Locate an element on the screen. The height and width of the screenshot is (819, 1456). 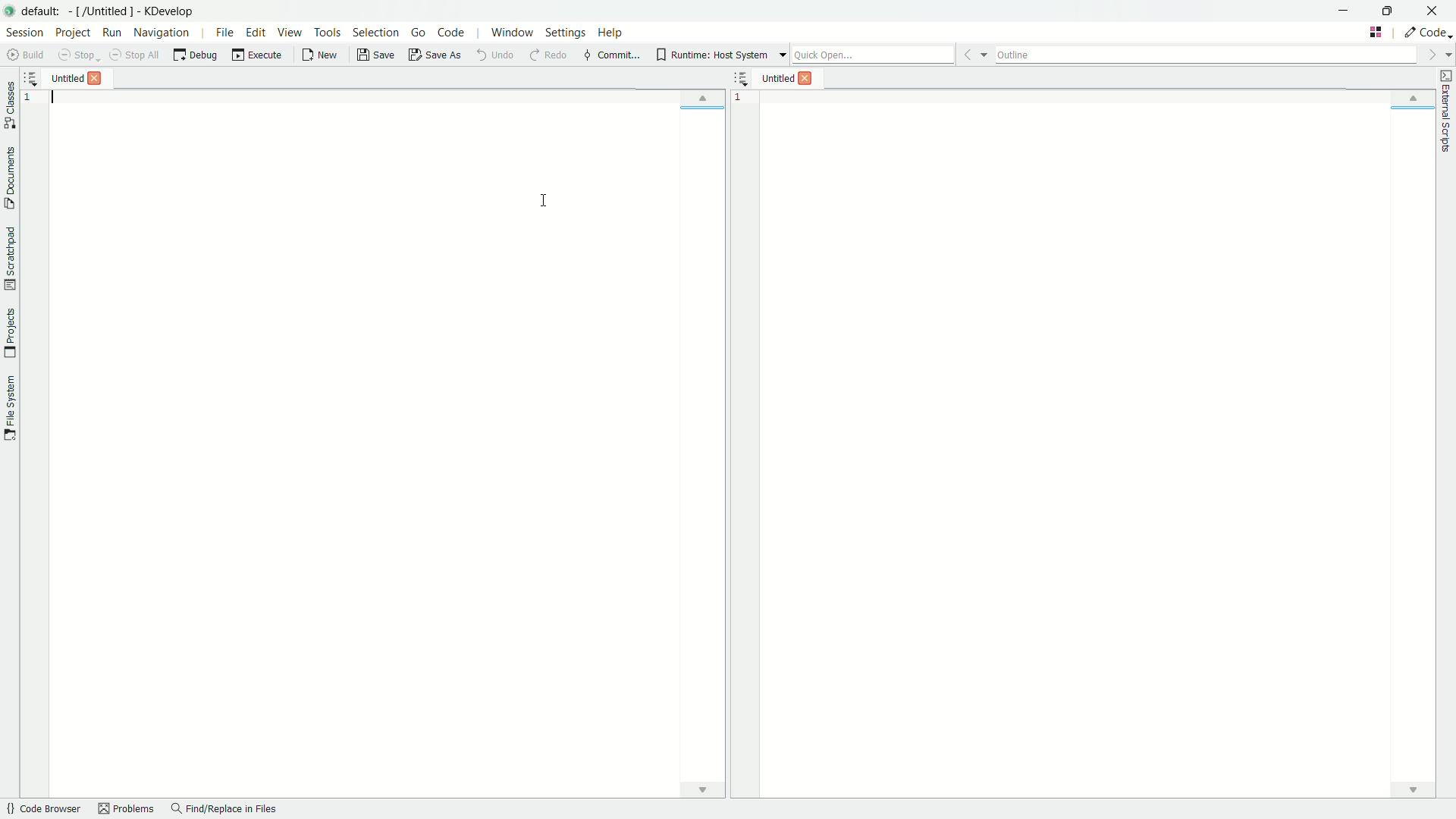
more options is located at coordinates (33, 76).